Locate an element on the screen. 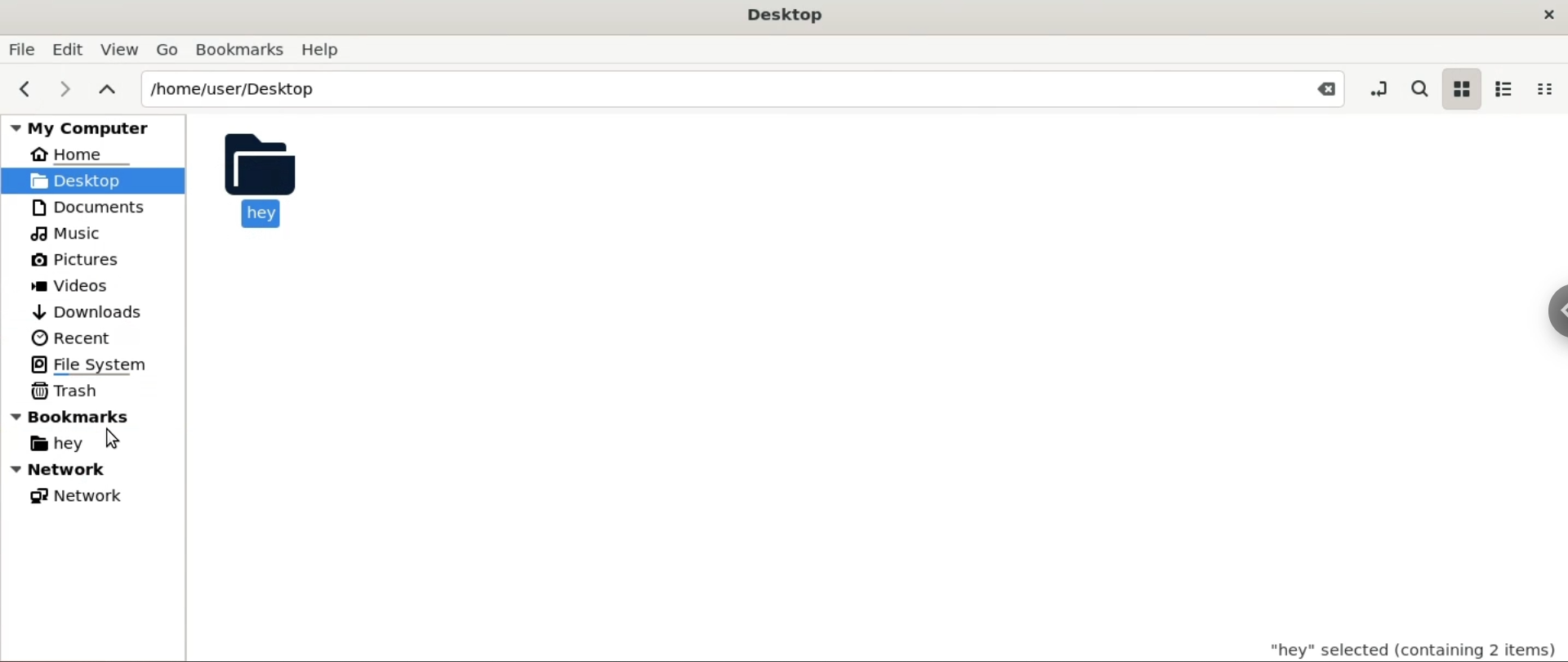 Image resolution: width=1568 pixels, height=662 pixels. View is located at coordinates (121, 47).